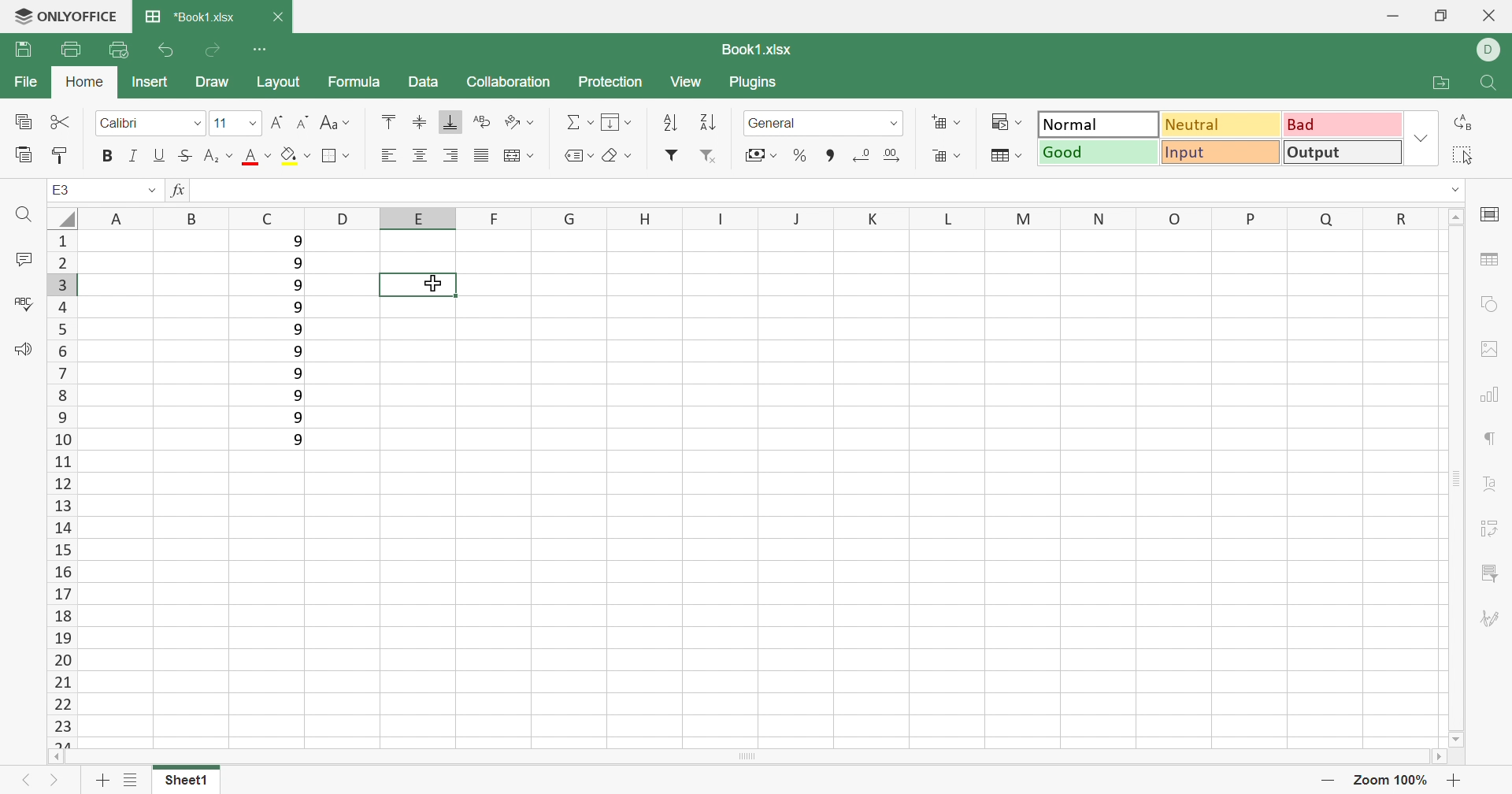 This screenshot has width=1512, height=794. What do you see at coordinates (617, 121) in the screenshot?
I see `Fill` at bounding box center [617, 121].